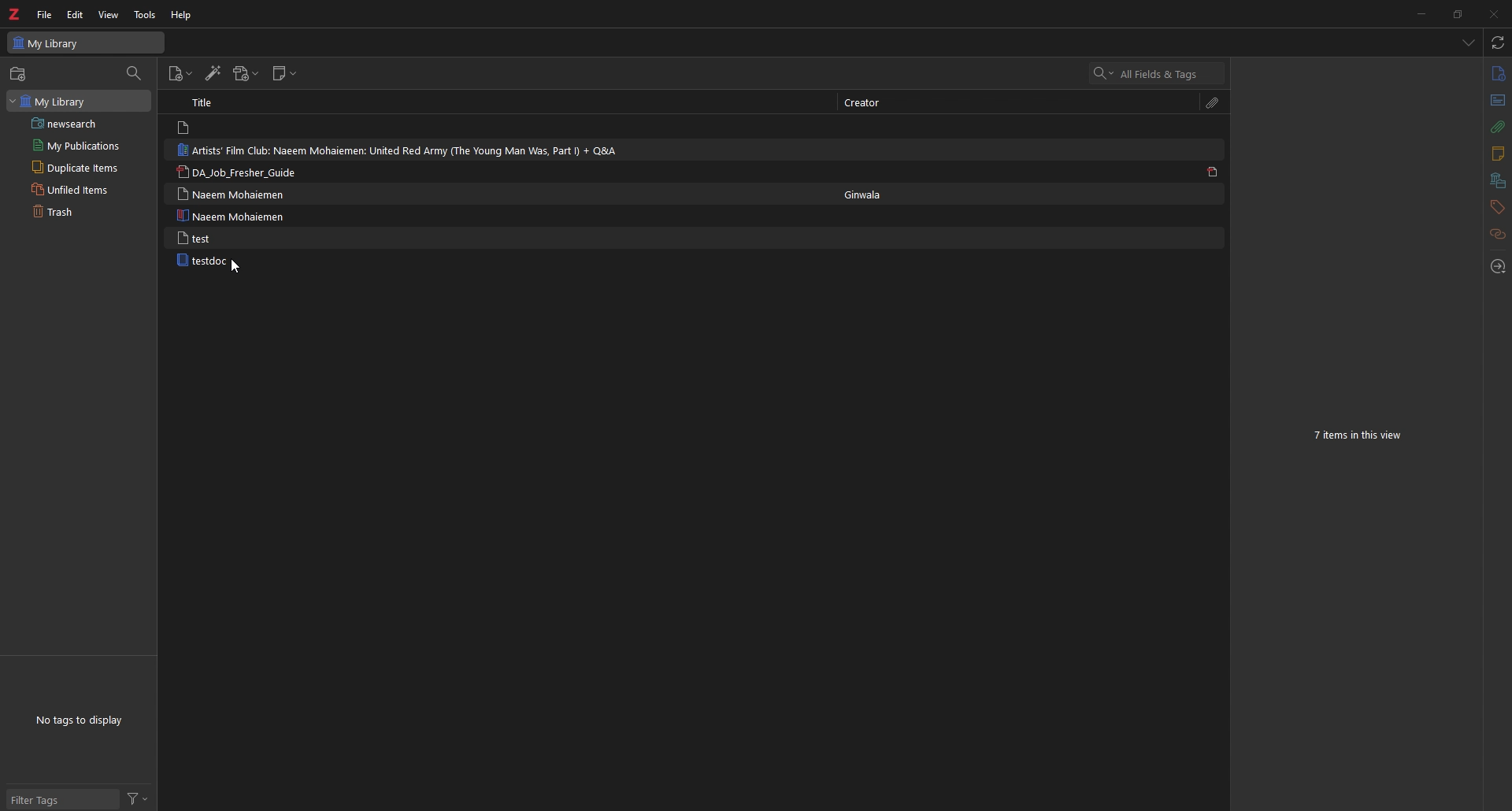 Image resolution: width=1512 pixels, height=811 pixels. Describe the element at coordinates (1457, 13) in the screenshot. I see `resize` at that location.